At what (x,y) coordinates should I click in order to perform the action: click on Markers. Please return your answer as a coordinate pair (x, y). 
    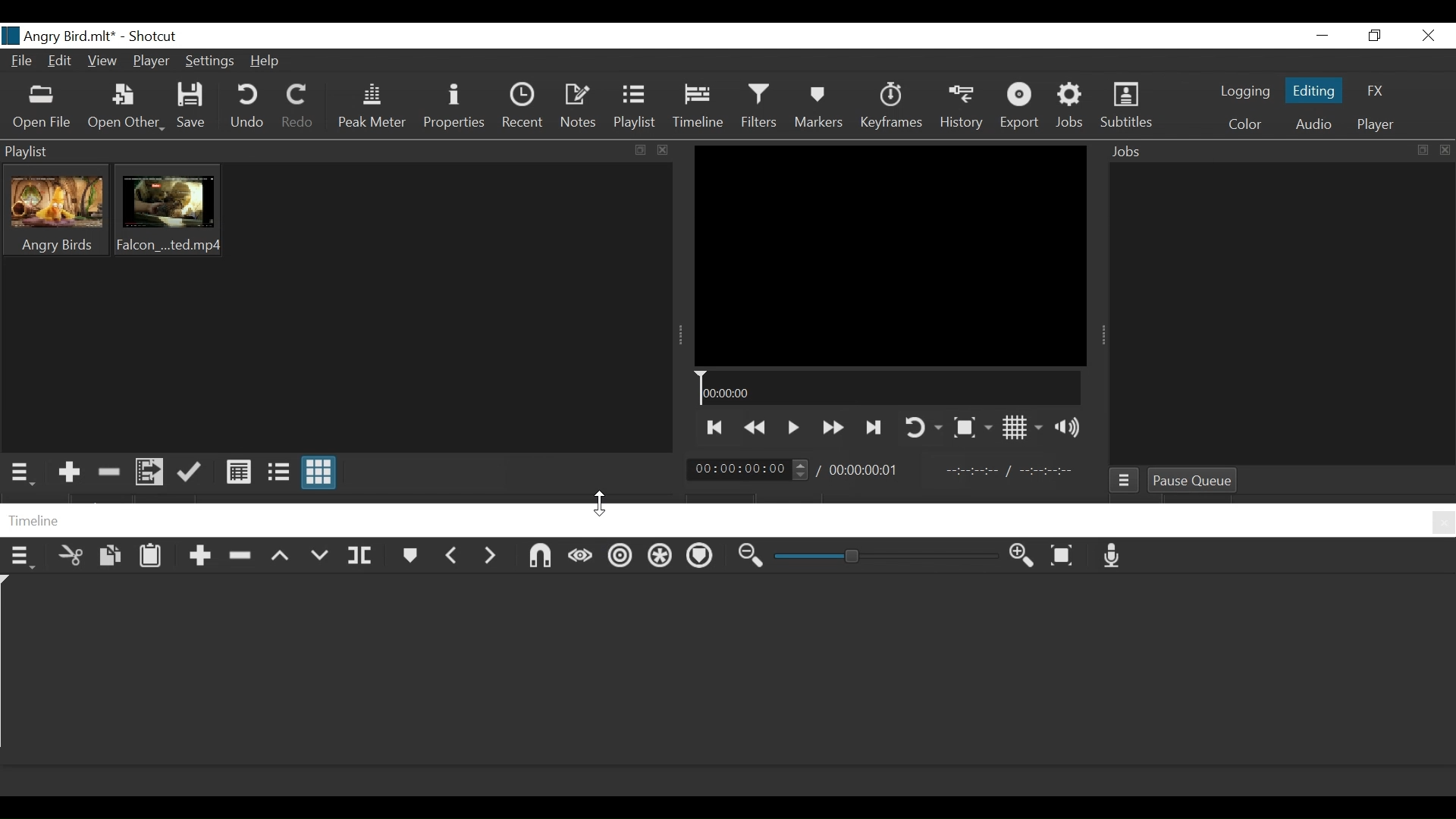
    Looking at the image, I should click on (408, 558).